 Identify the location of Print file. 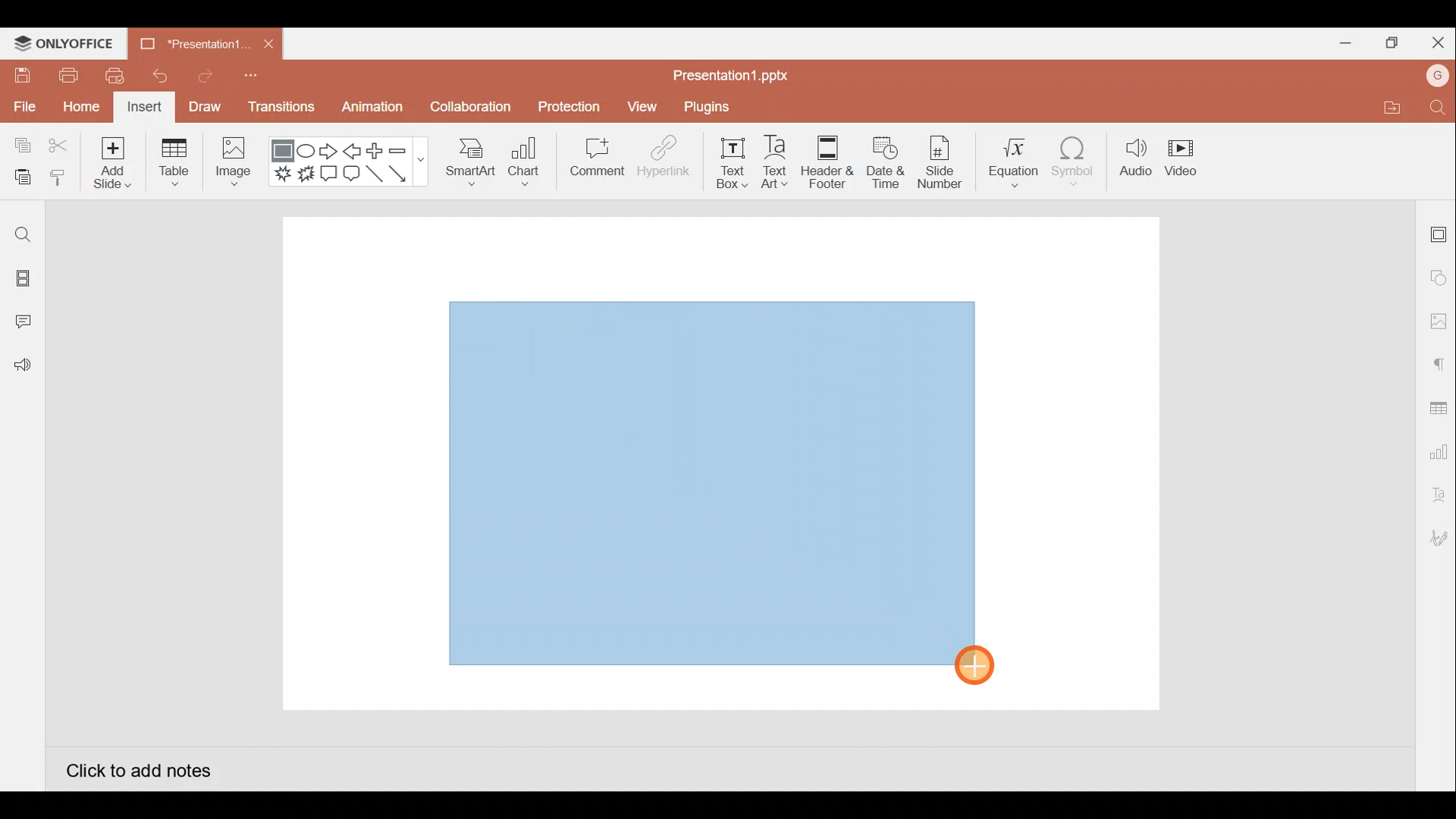
(67, 74).